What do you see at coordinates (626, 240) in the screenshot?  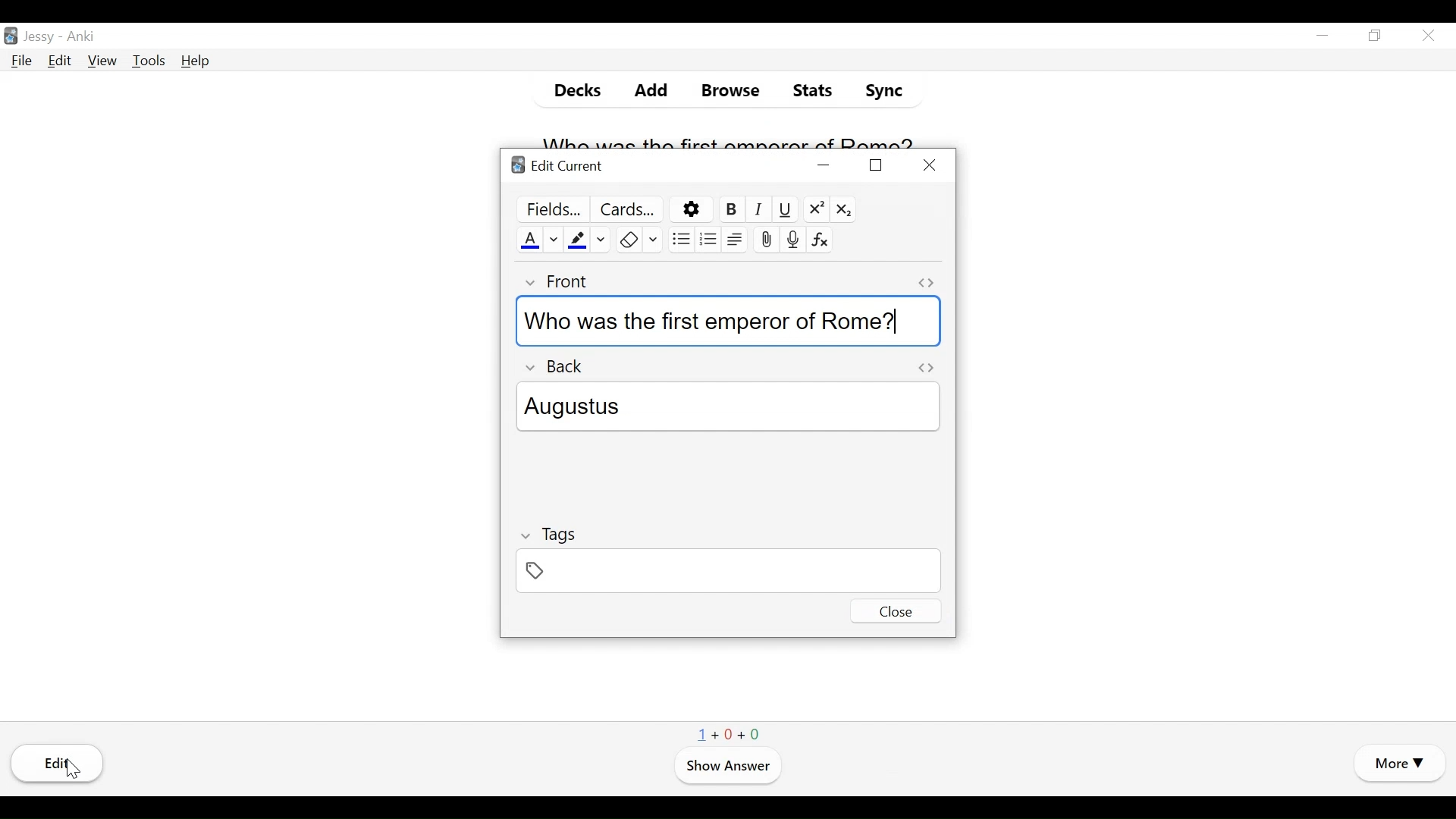 I see `Remove Formatting` at bounding box center [626, 240].